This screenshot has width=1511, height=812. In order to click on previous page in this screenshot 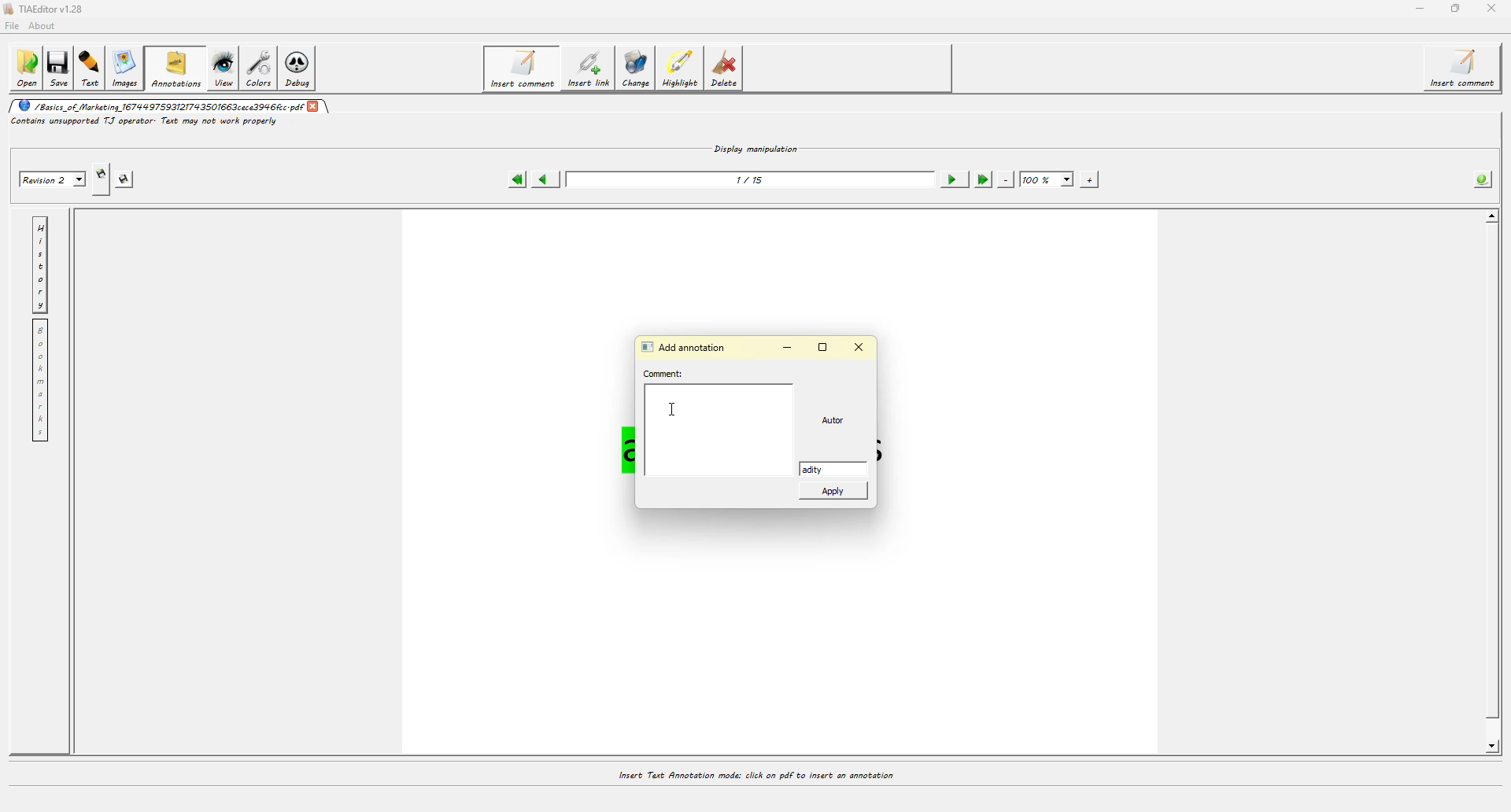, I will do `click(545, 180)`.